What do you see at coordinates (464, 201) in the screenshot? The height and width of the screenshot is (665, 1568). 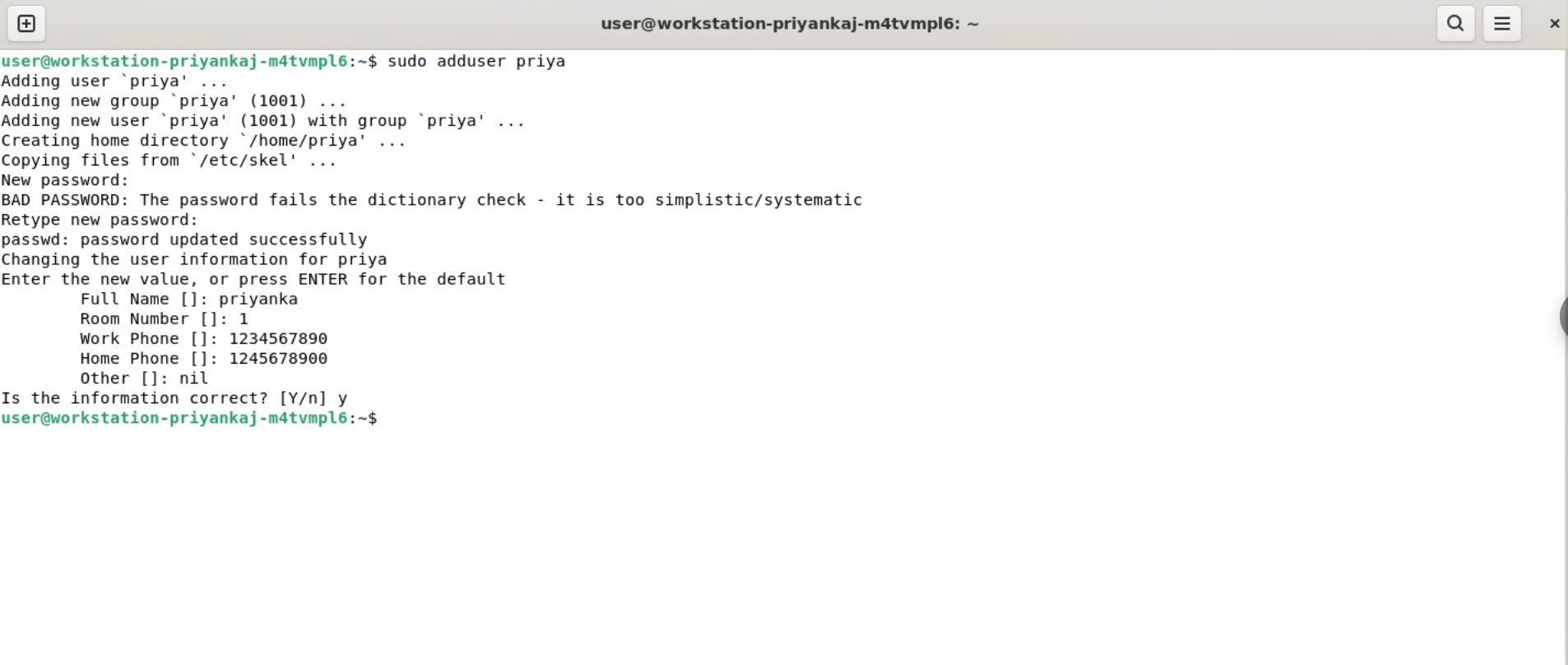 I see `BAD PASSWORD: The password fails the dictionary check. it is too simplistic/systematic` at bounding box center [464, 201].